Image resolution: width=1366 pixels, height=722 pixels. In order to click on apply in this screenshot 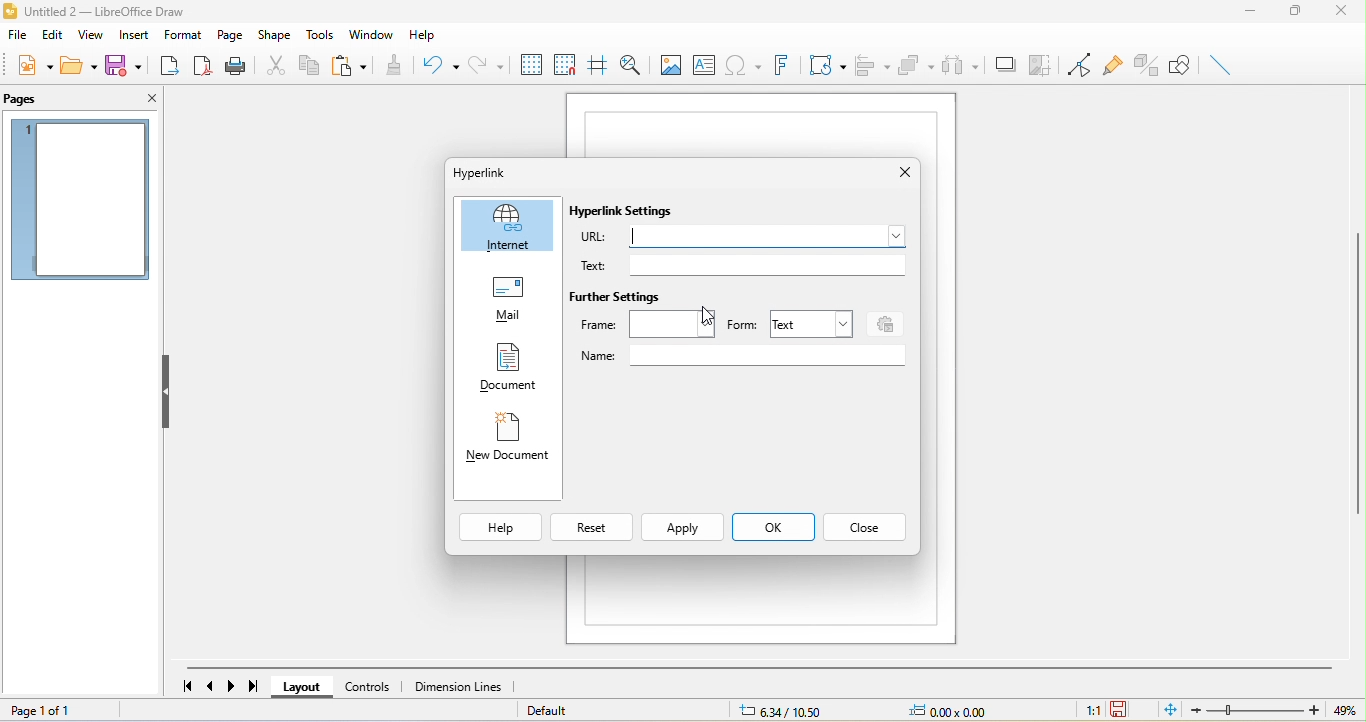, I will do `click(683, 526)`.